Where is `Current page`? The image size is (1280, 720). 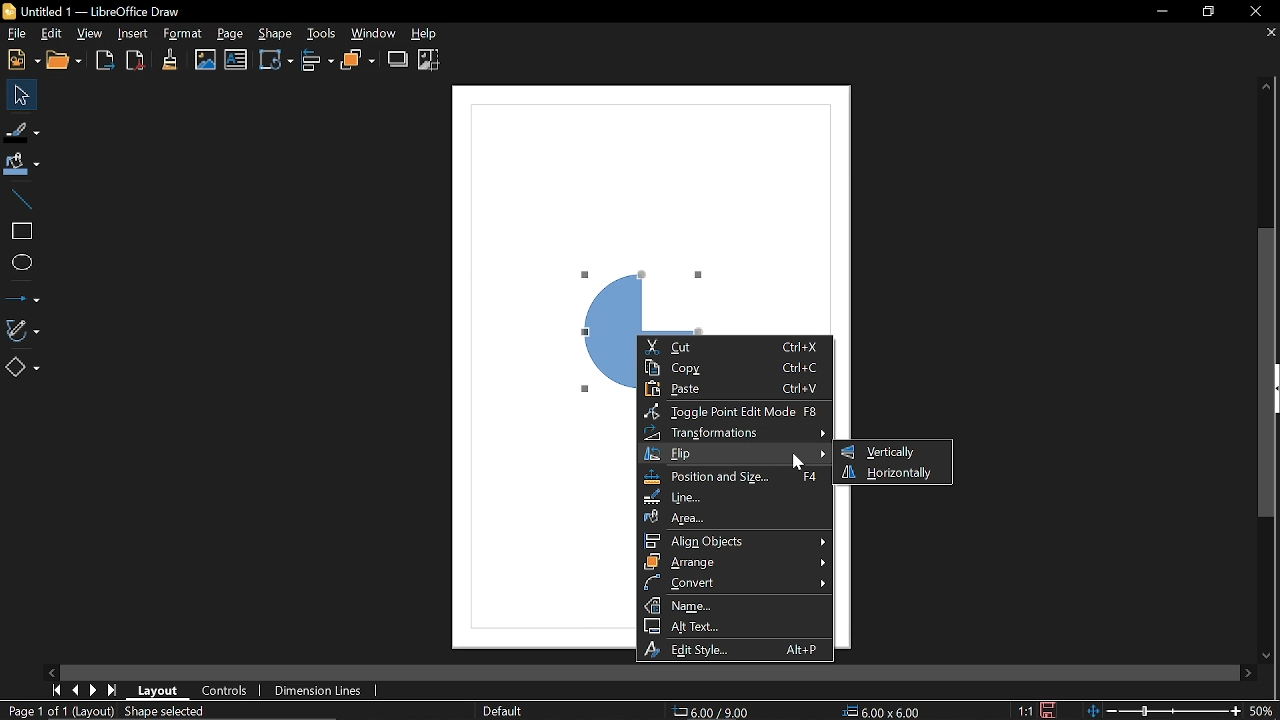
Current page is located at coordinates (58, 710).